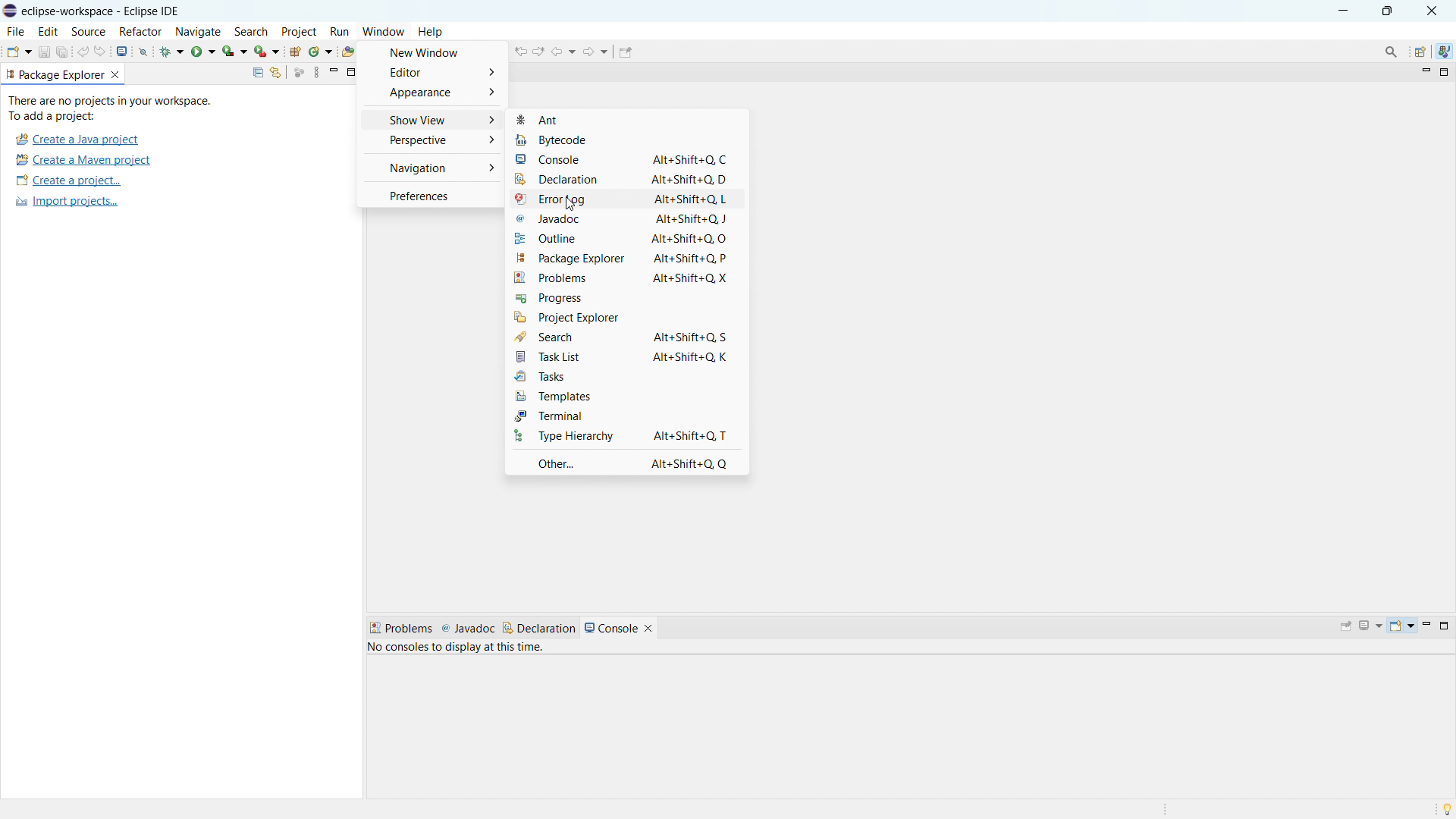  Describe the element at coordinates (366, 50) in the screenshot. I see `open task` at that location.